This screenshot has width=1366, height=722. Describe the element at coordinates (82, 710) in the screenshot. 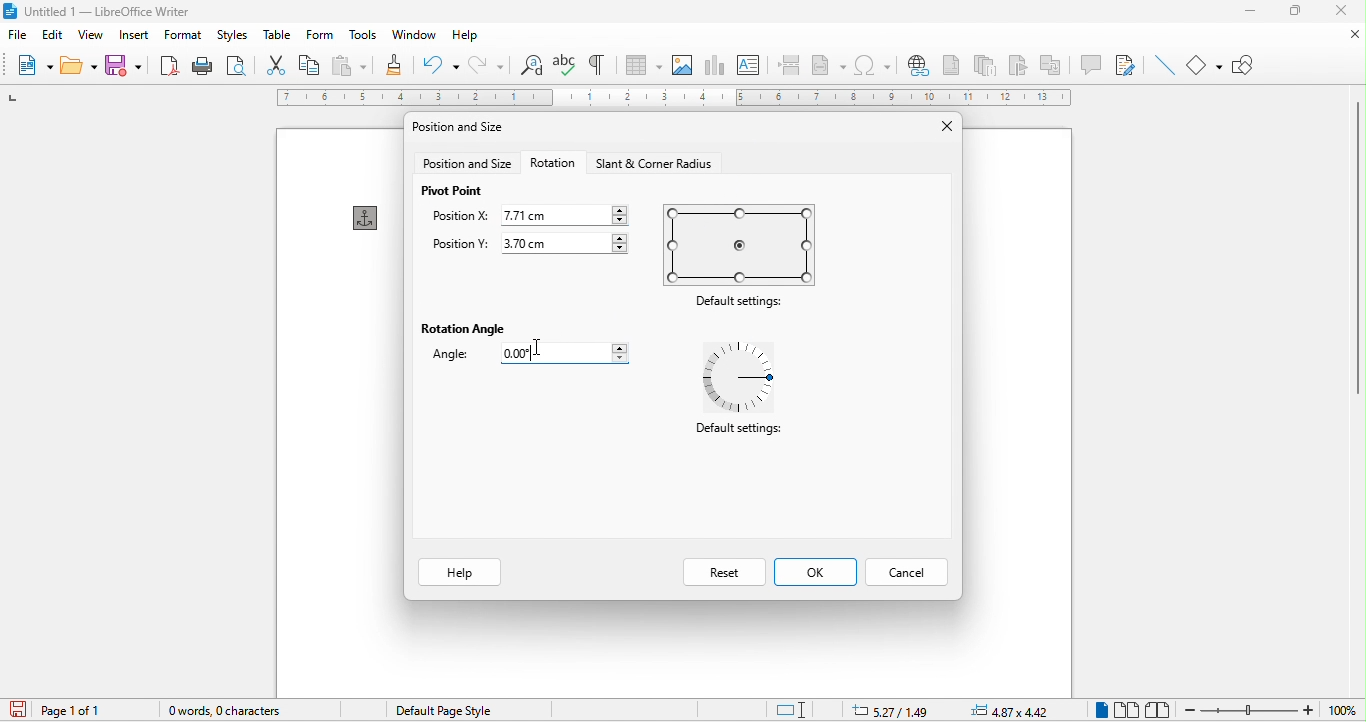

I see `page 1 of 1` at that location.